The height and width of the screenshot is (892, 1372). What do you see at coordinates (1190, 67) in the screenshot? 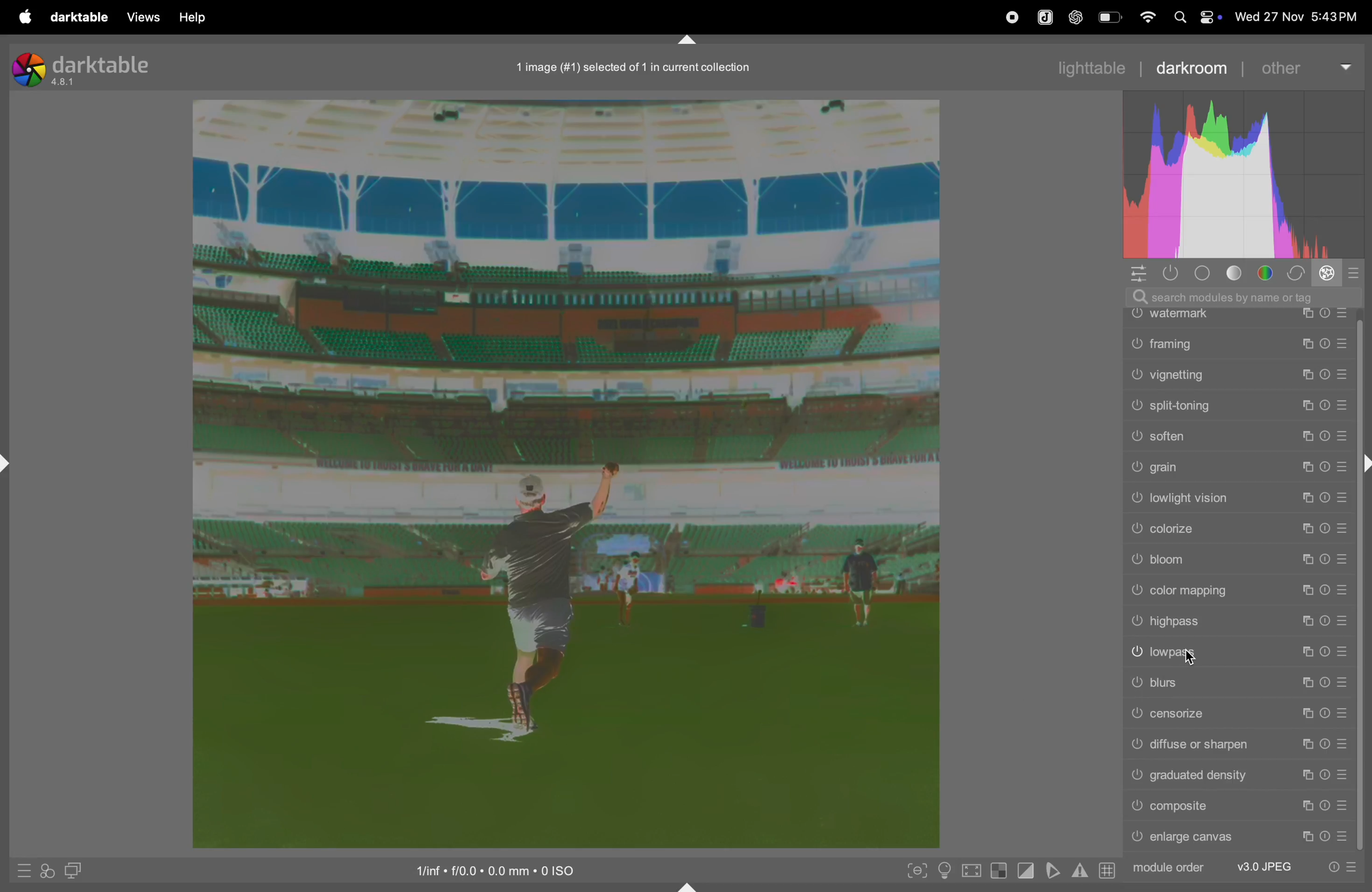
I see `darkroom` at bounding box center [1190, 67].